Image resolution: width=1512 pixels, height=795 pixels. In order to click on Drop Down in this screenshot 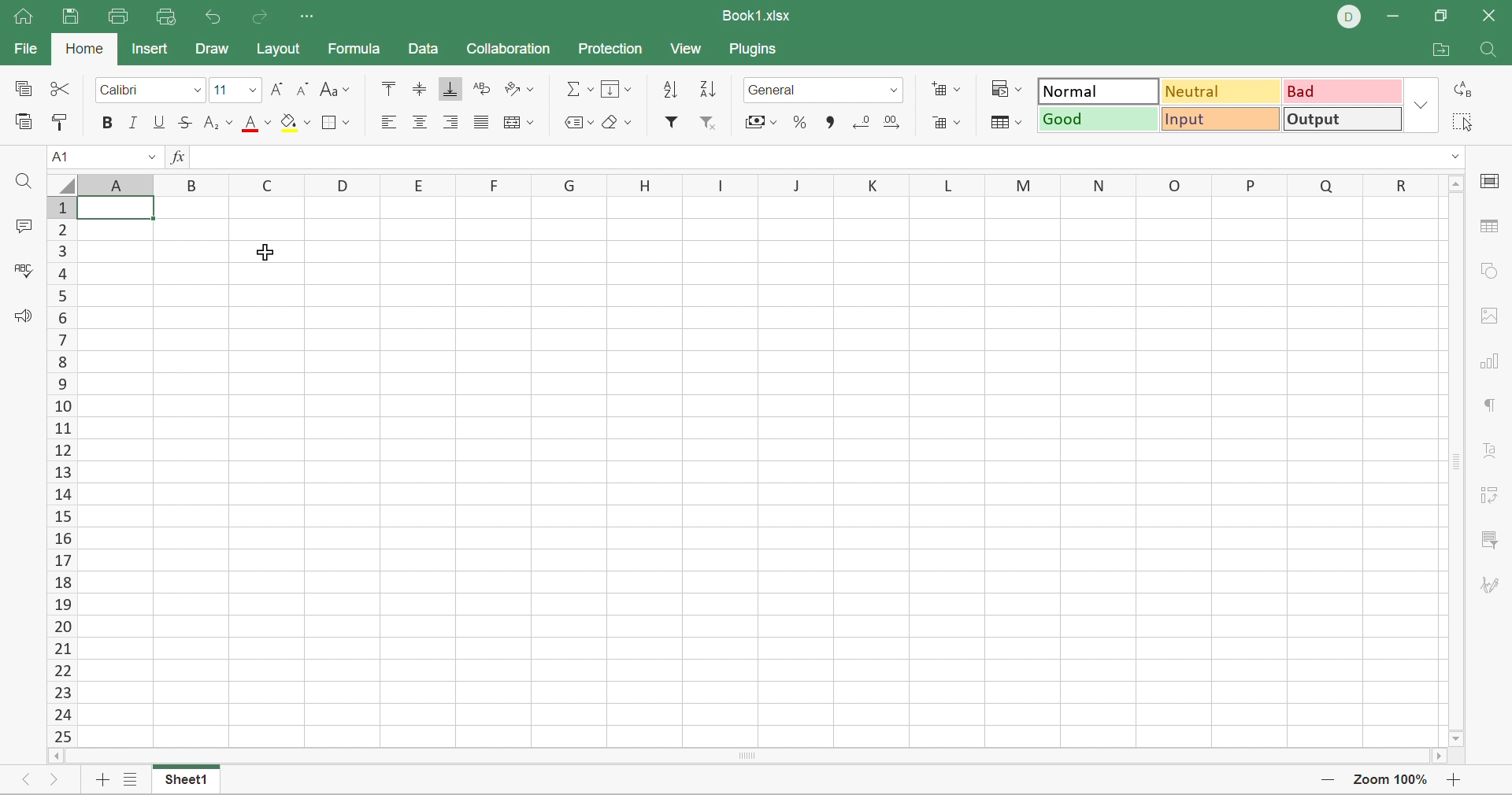, I will do `click(896, 91)`.